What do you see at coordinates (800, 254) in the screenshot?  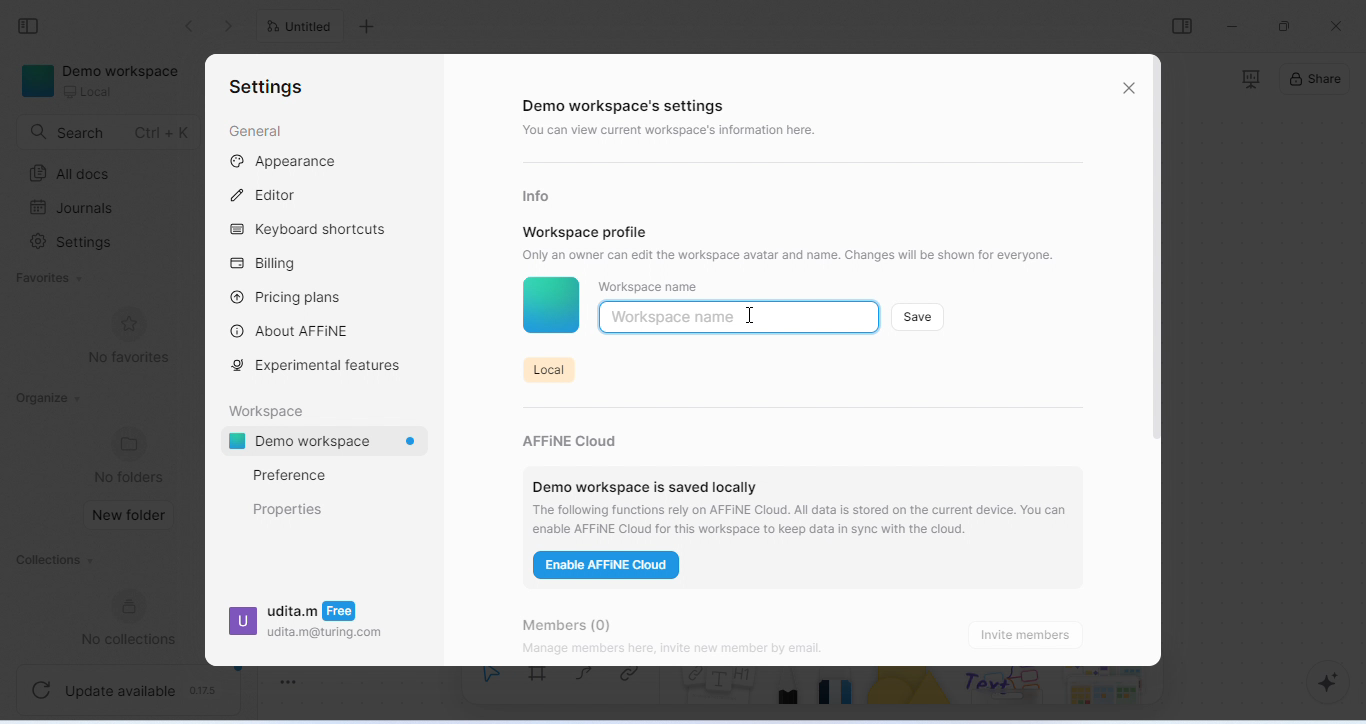 I see `Only an owner can edit the workspace avatar and name. Changes will be shown for everyone.` at bounding box center [800, 254].